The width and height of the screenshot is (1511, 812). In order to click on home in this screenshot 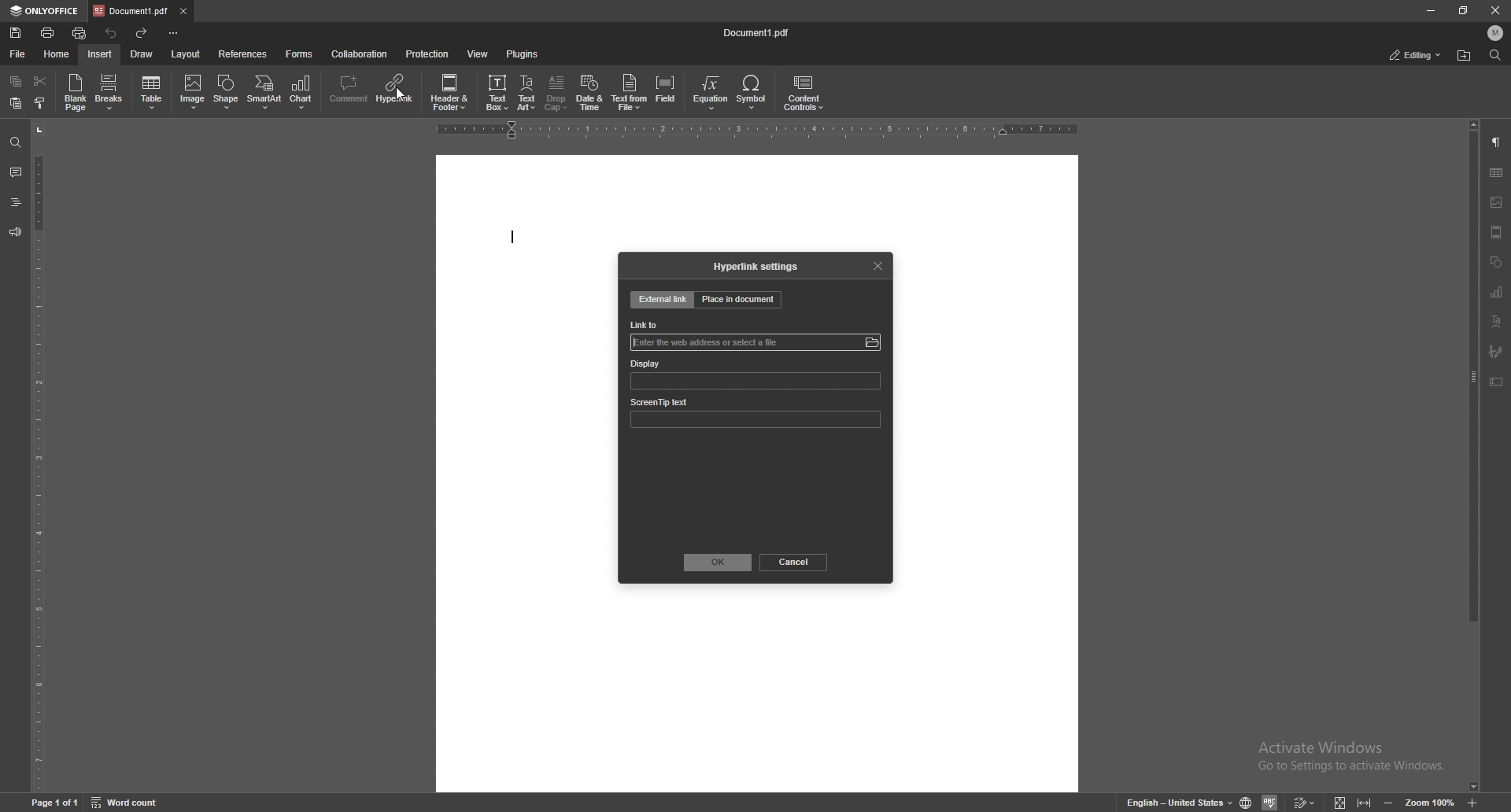, I will do `click(54, 53)`.